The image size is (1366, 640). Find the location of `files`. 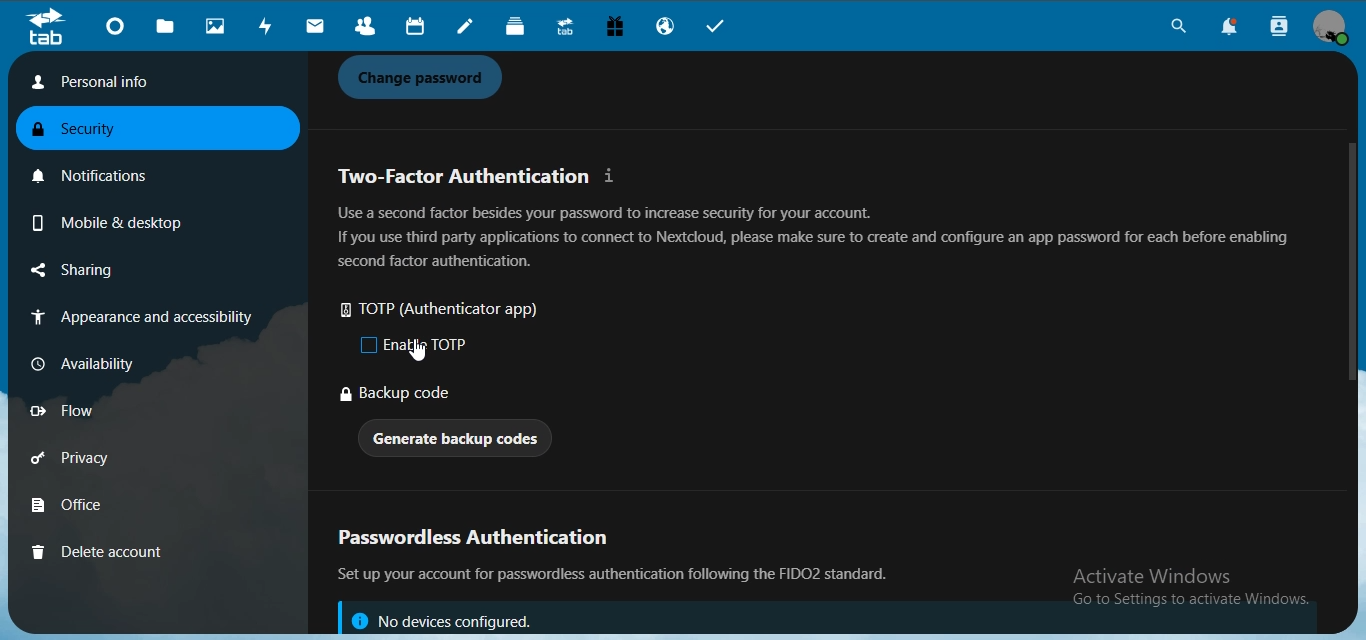

files is located at coordinates (167, 27).